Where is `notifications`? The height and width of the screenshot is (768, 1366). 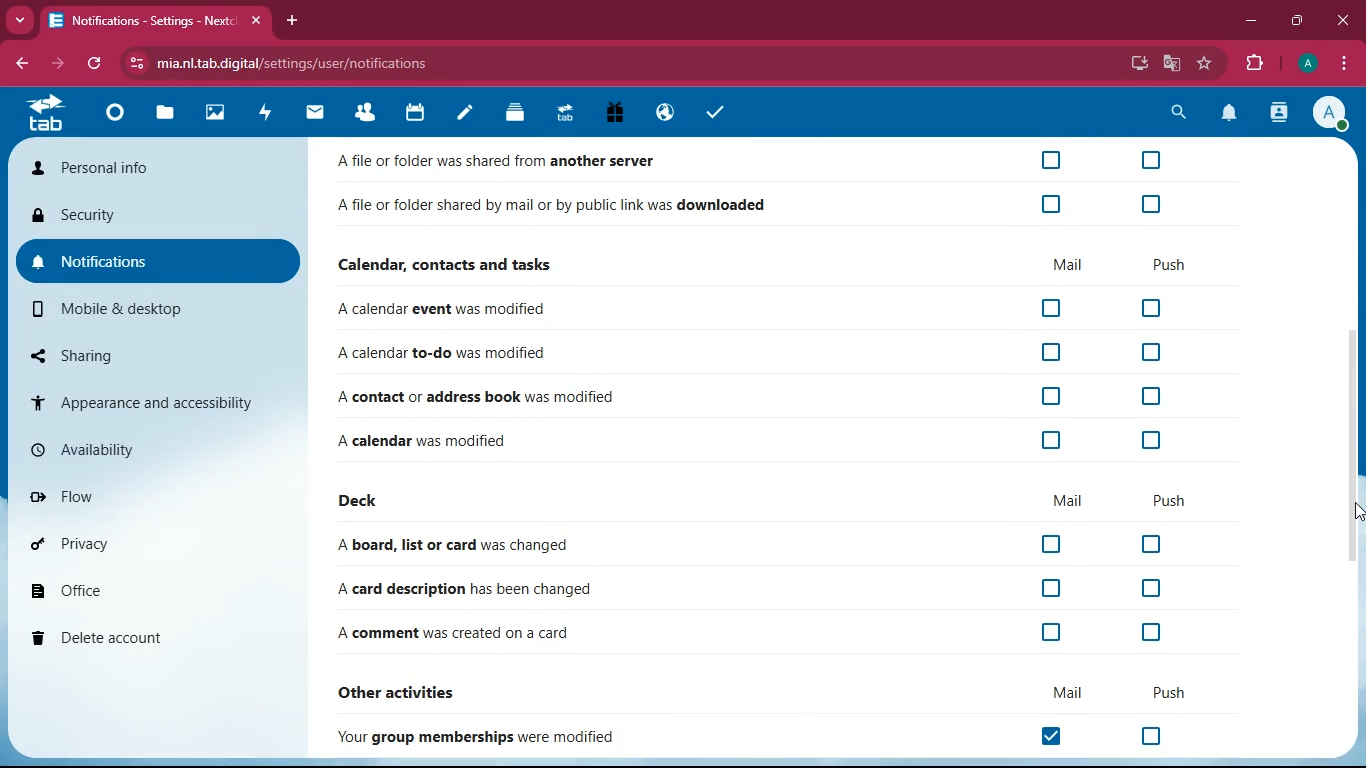
notifications is located at coordinates (1229, 114).